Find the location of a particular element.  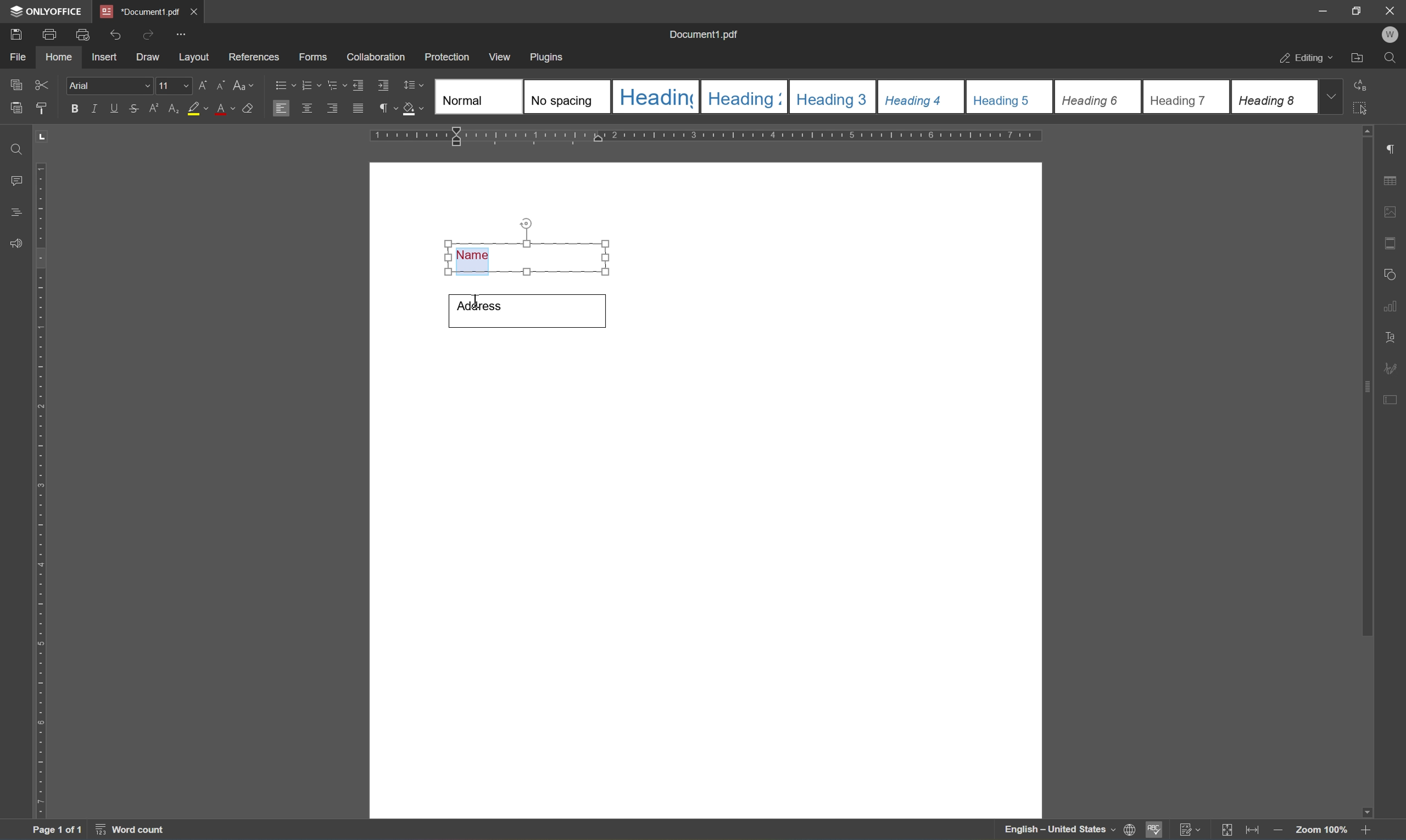

insert is located at coordinates (110, 58).